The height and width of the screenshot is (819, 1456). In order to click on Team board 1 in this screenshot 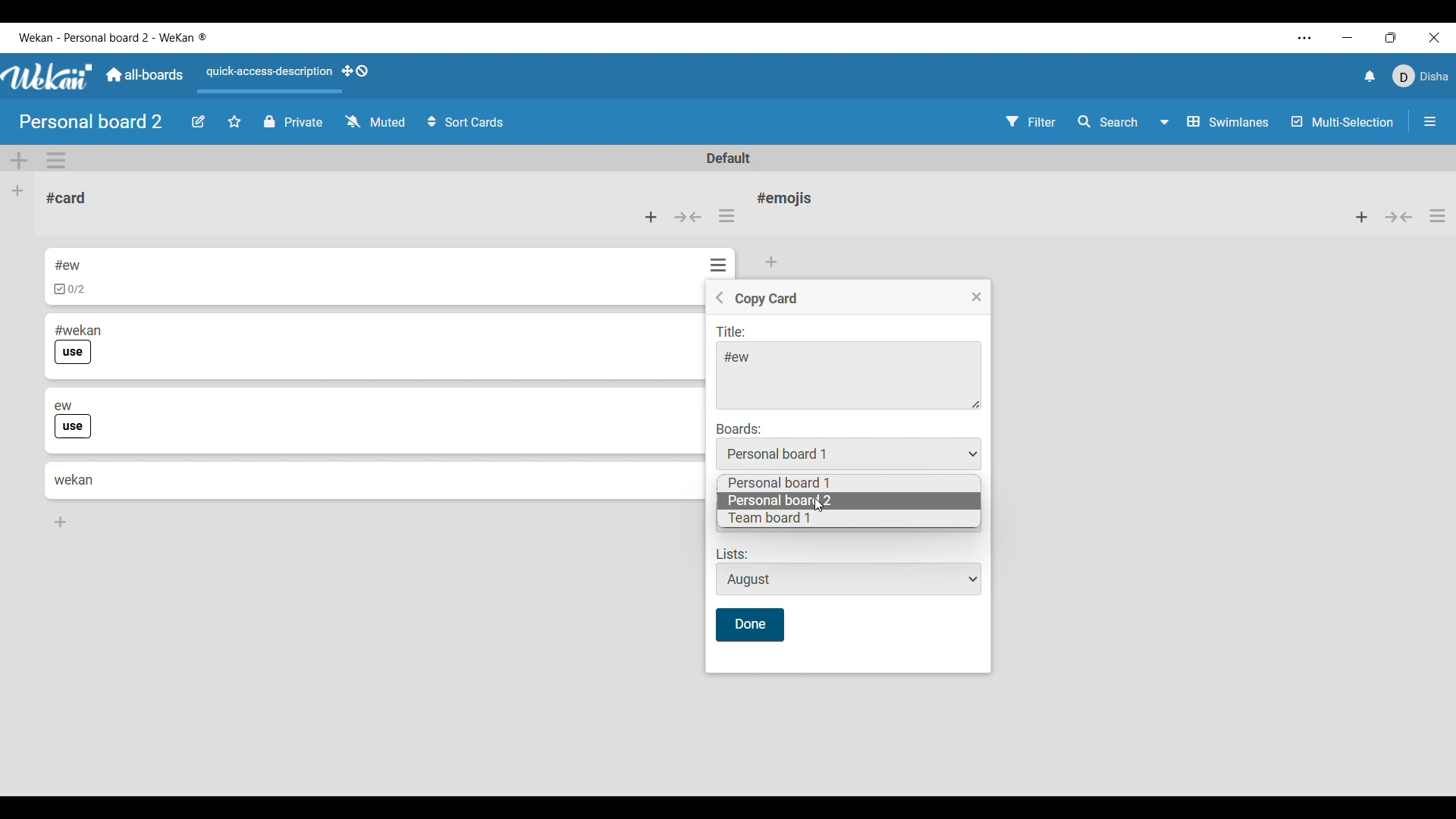, I will do `click(846, 520)`.